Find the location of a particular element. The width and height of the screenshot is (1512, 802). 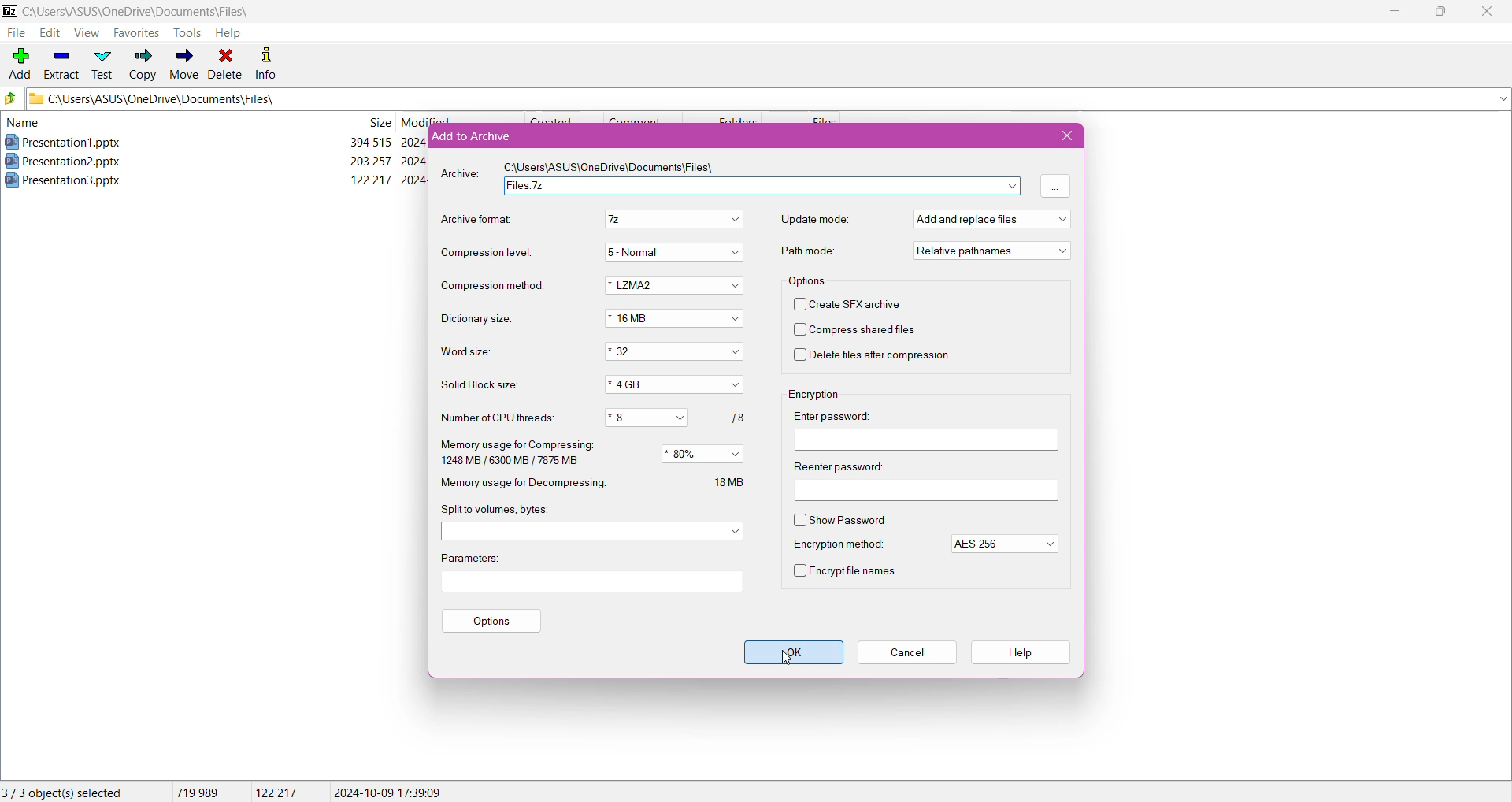

Application Logo is located at coordinates (9, 10).